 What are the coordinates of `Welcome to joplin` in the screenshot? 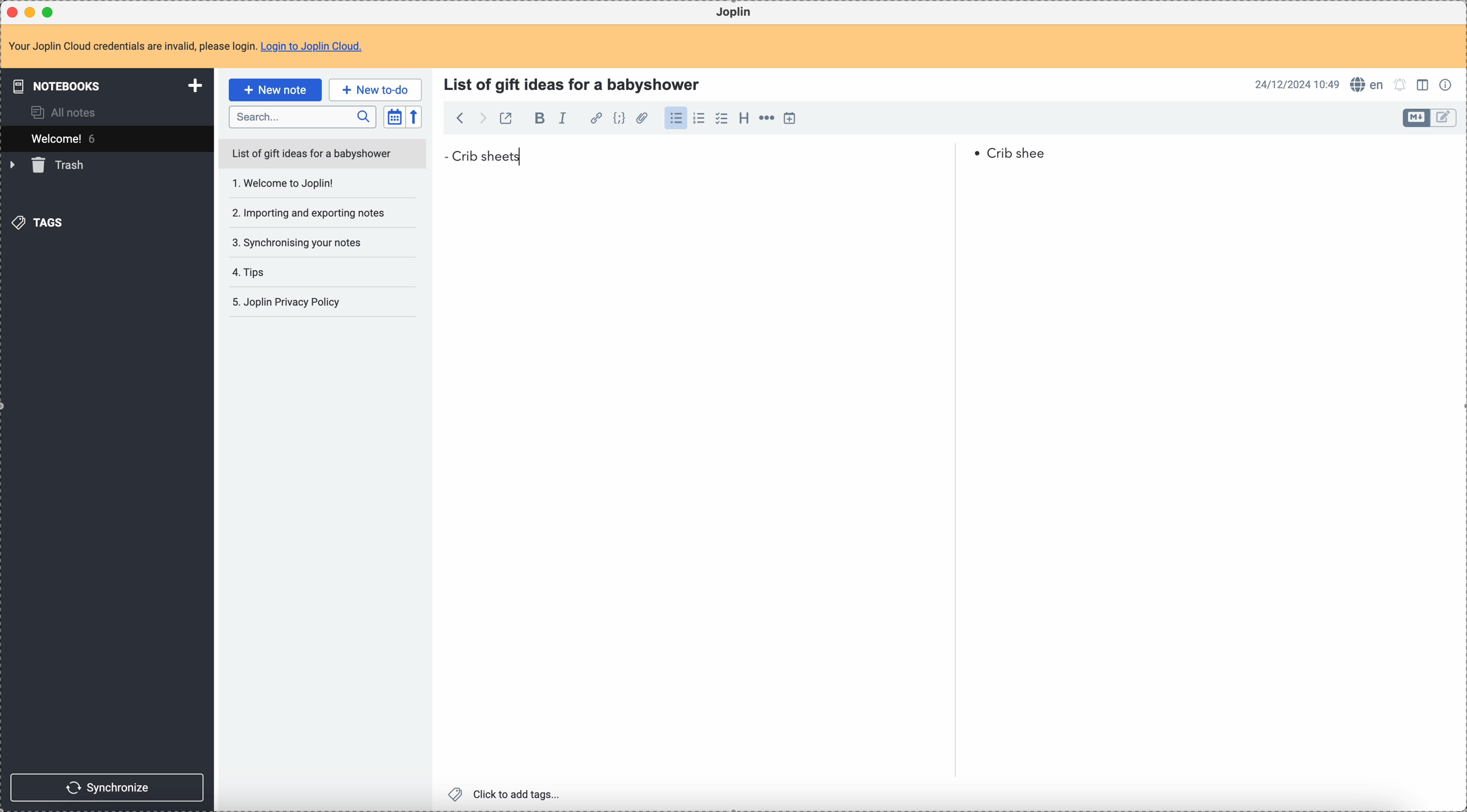 It's located at (310, 186).